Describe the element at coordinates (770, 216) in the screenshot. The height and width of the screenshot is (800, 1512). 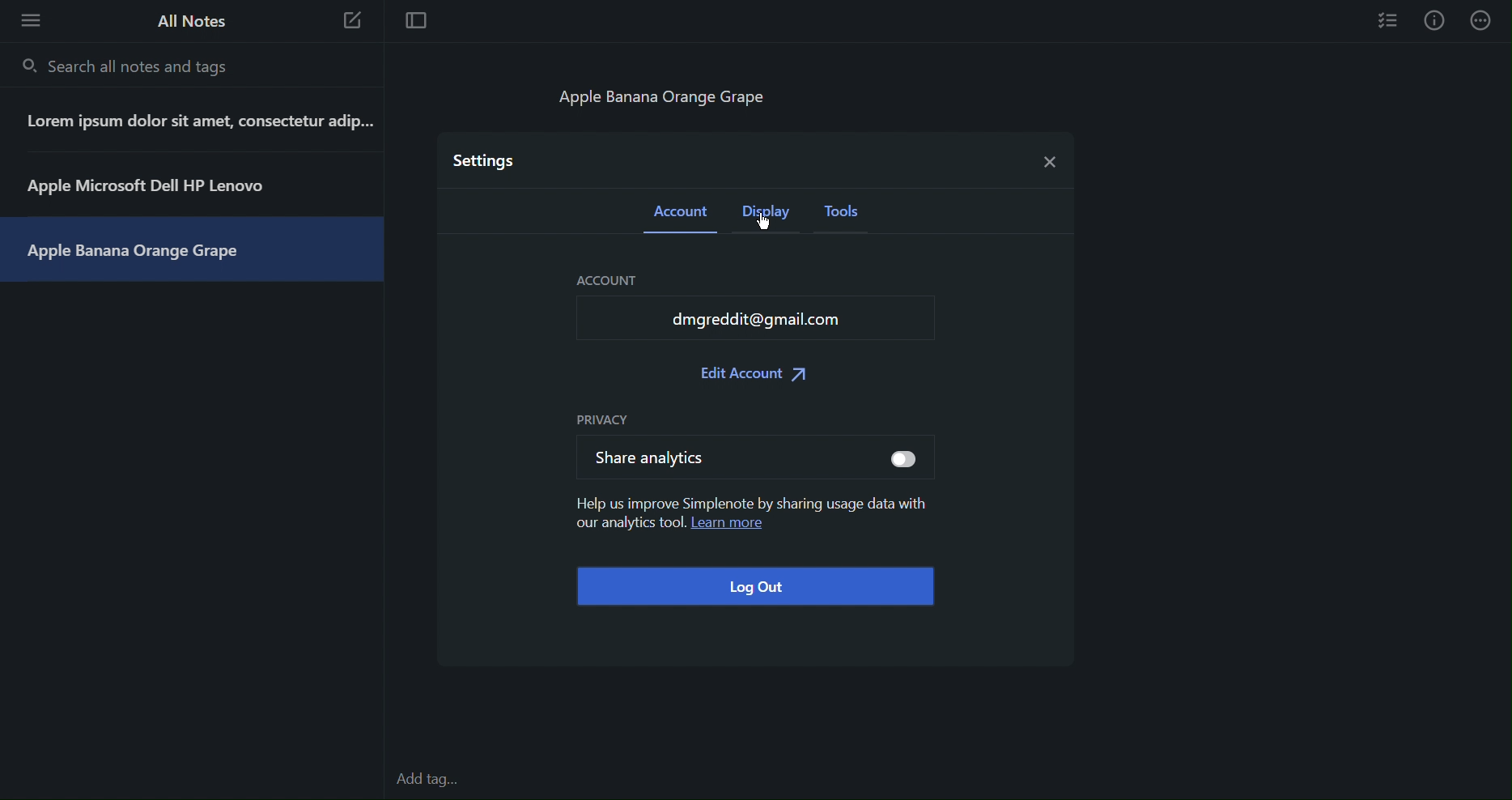
I see `Display` at that location.